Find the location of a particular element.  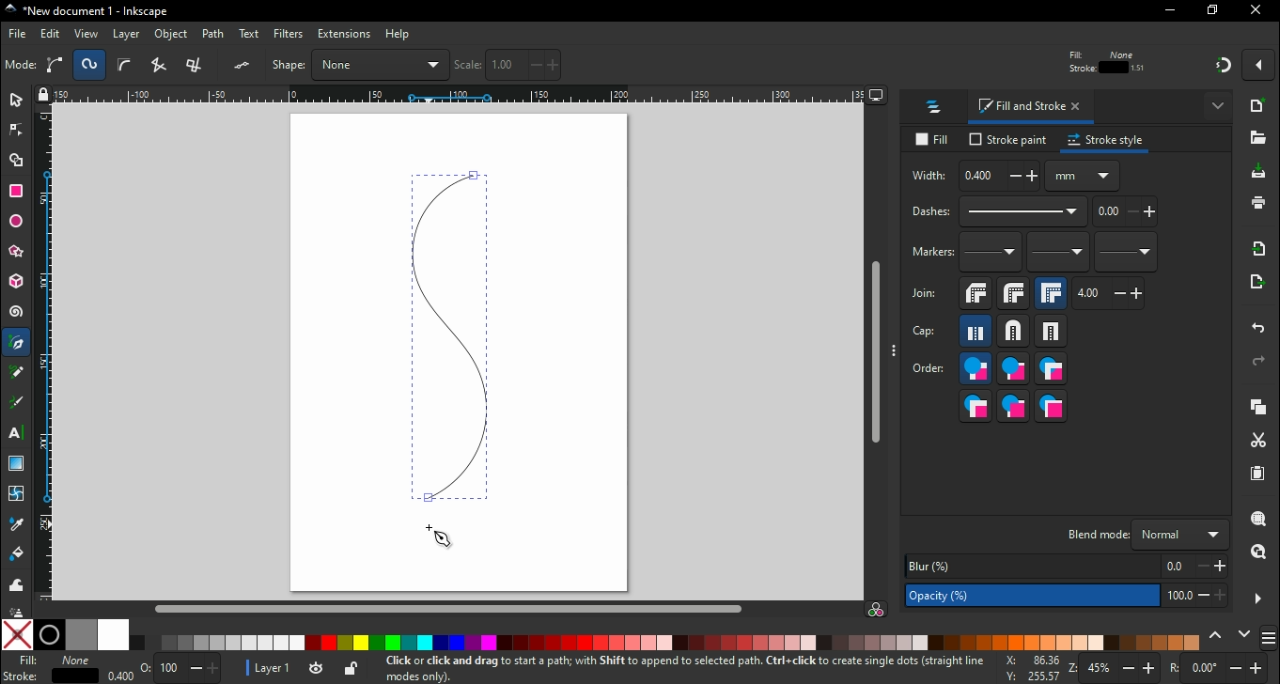

shape is located at coordinates (360, 64).